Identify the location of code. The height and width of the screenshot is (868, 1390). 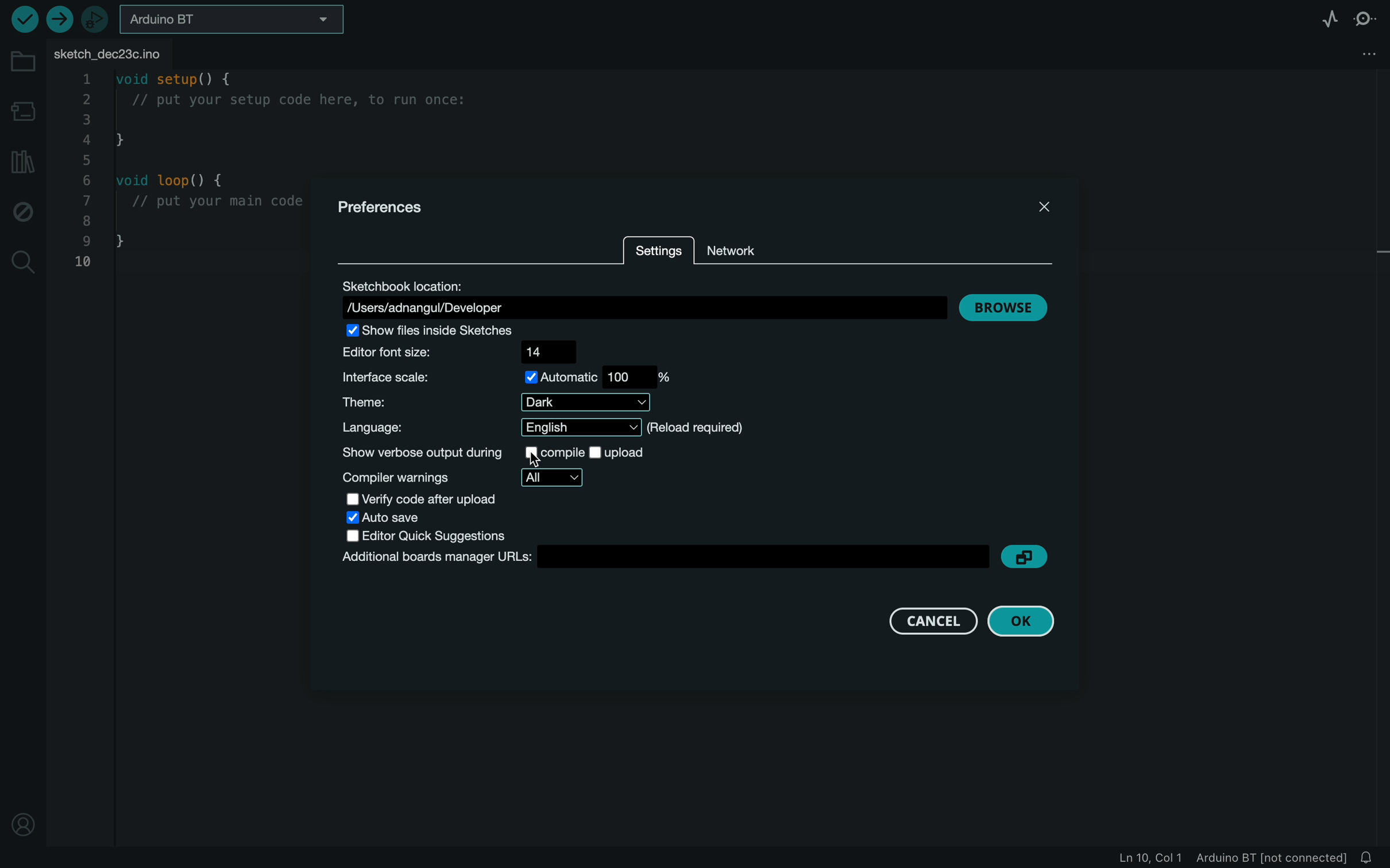
(187, 175).